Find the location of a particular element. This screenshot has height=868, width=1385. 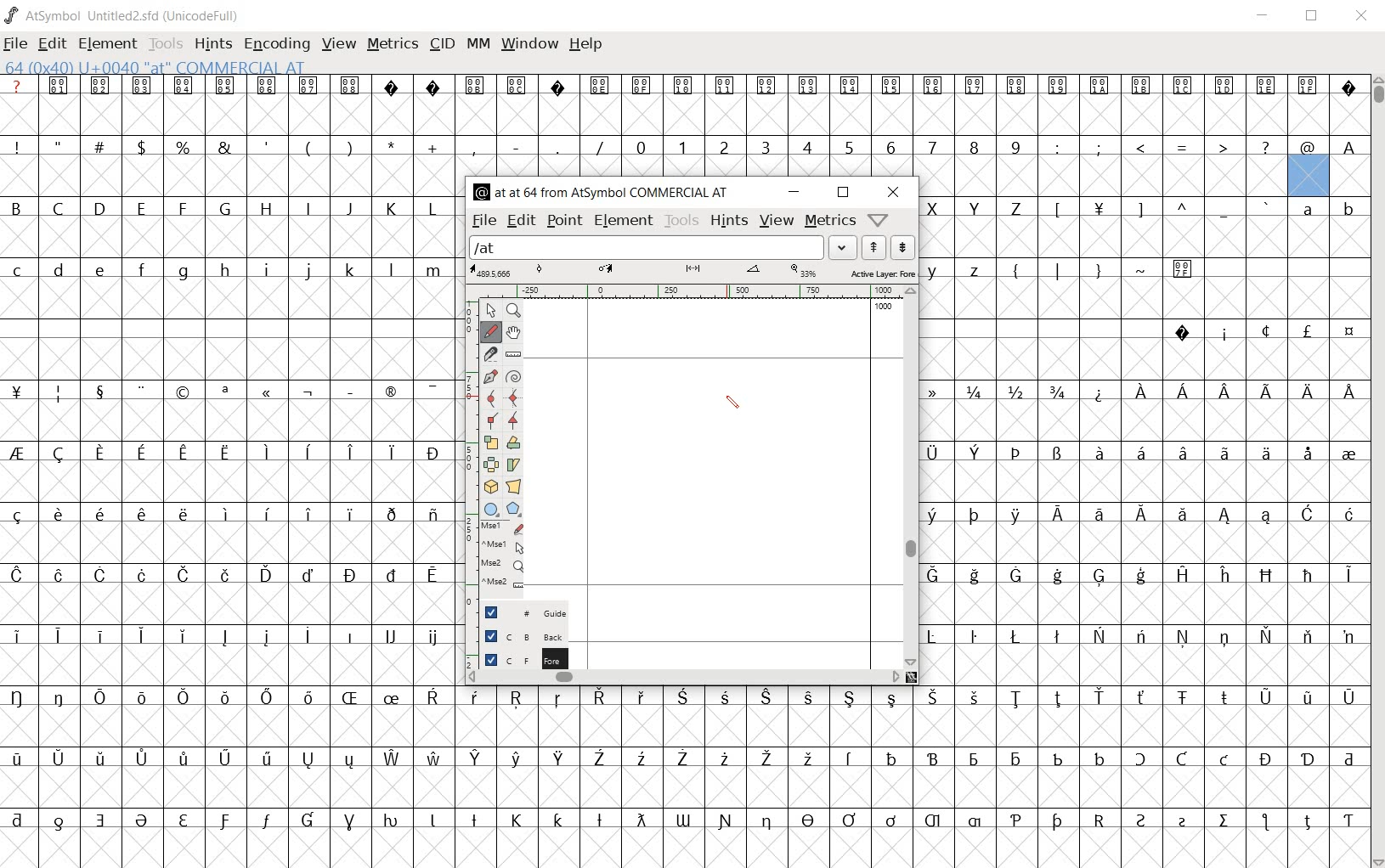

glyph info is located at coordinates (604, 190).